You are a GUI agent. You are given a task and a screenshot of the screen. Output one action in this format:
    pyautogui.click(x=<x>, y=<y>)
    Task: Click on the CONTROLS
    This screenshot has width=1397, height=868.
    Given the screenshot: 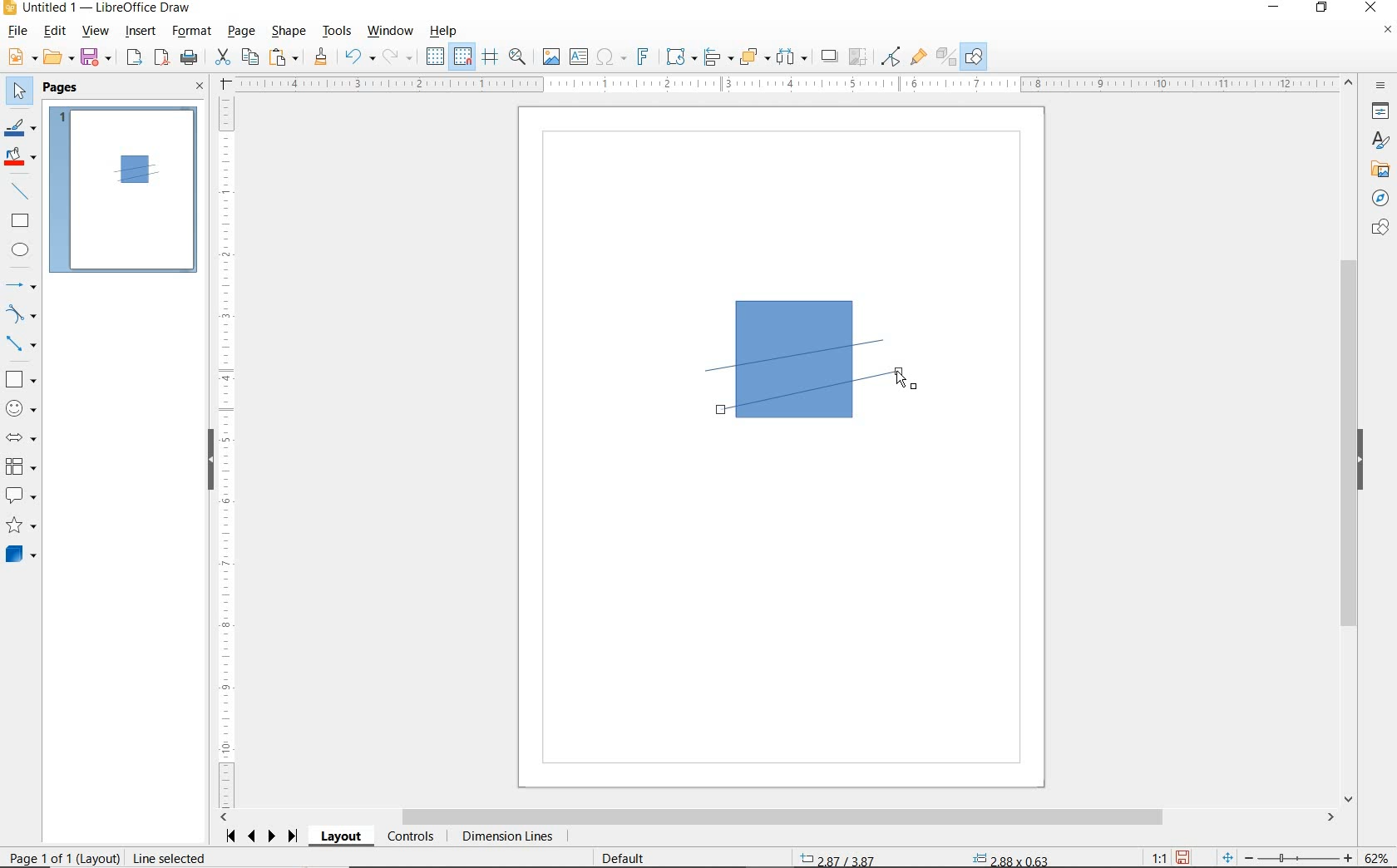 What is the action you would take?
    pyautogui.click(x=410, y=837)
    